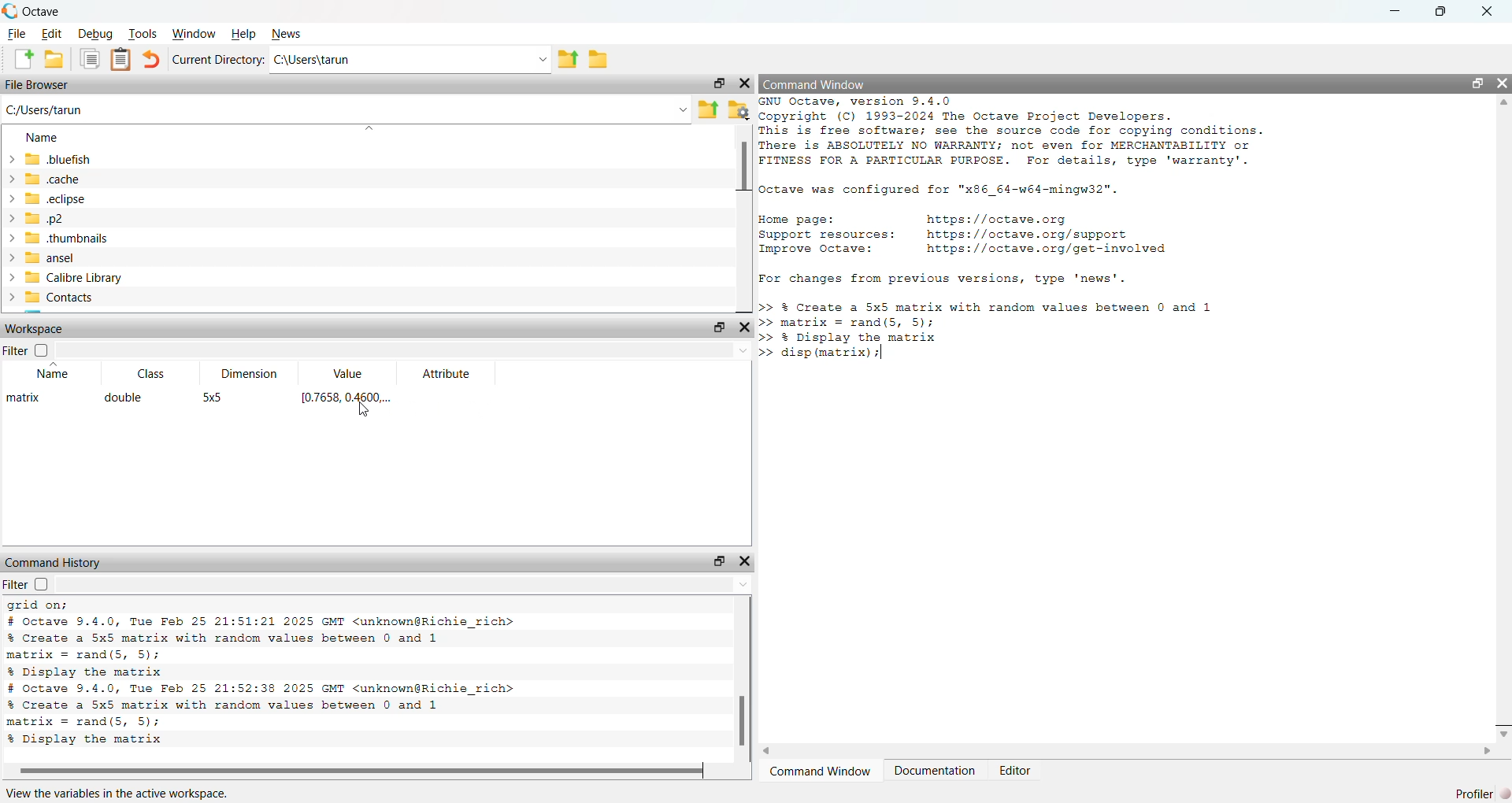 The width and height of the screenshot is (1512, 803). What do you see at coordinates (20, 60) in the screenshot?
I see `add` at bounding box center [20, 60].